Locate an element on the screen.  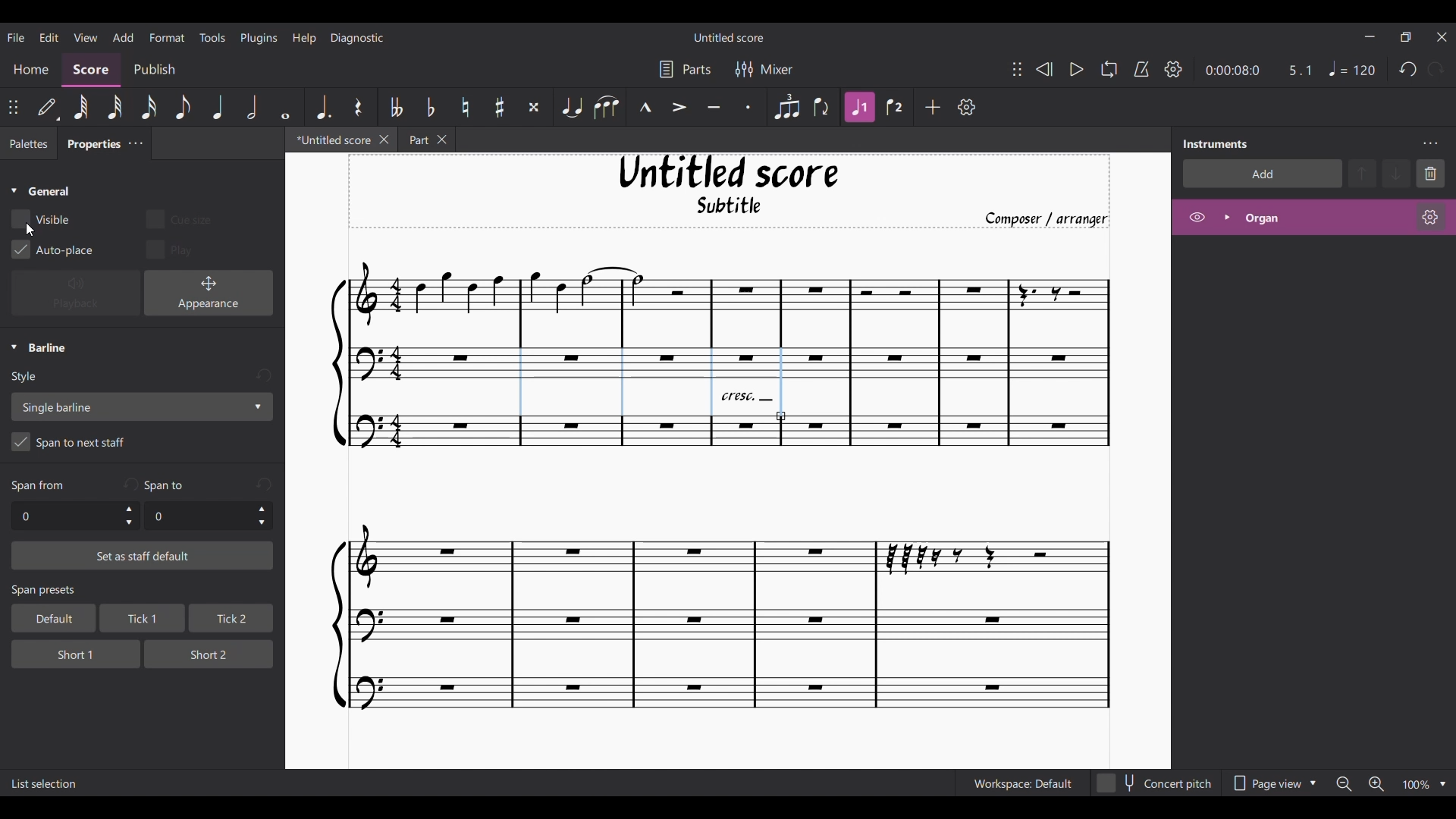
Playback settings is located at coordinates (1173, 69).